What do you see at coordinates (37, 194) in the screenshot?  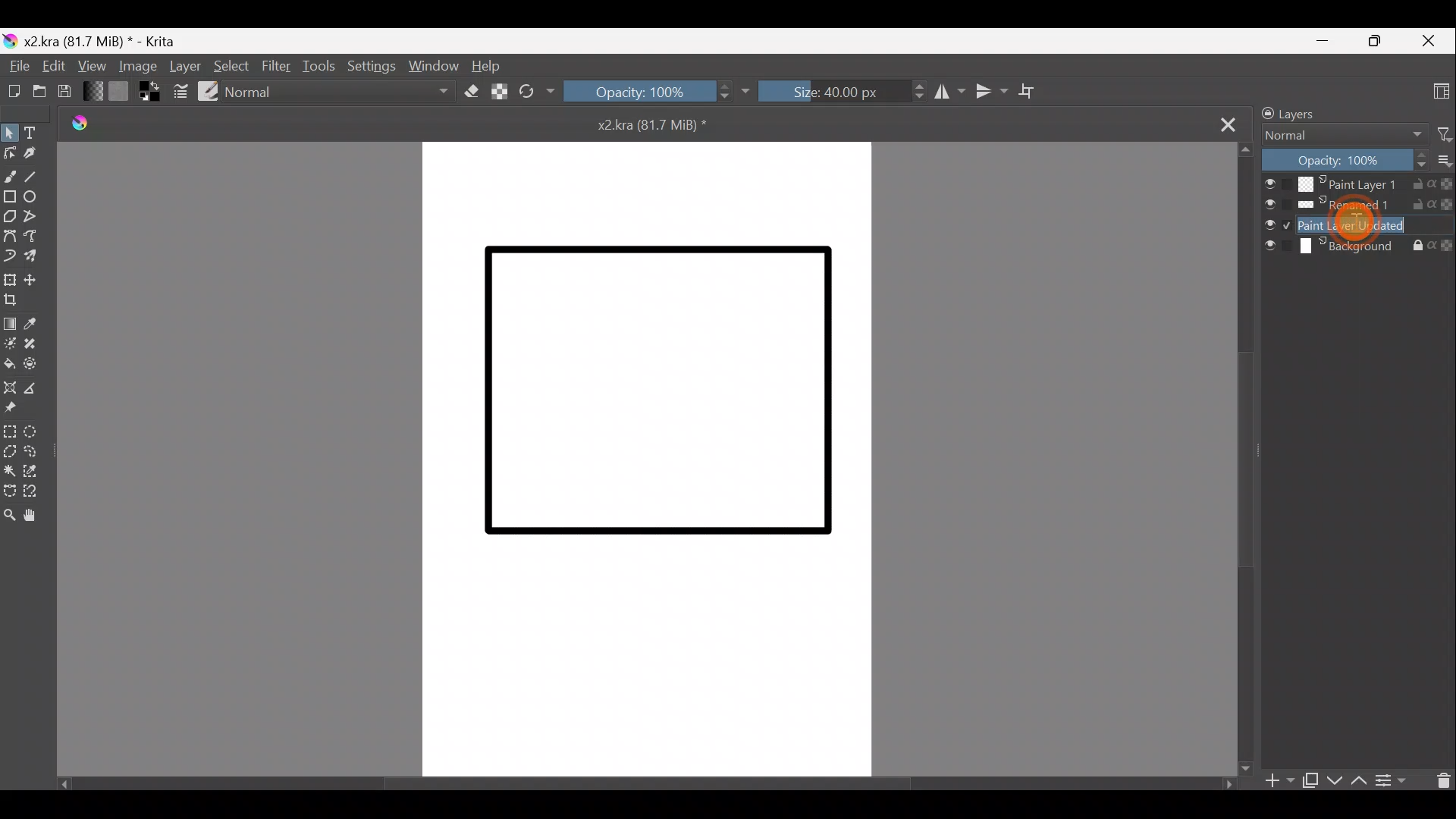 I see `Ellipse tool` at bounding box center [37, 194].